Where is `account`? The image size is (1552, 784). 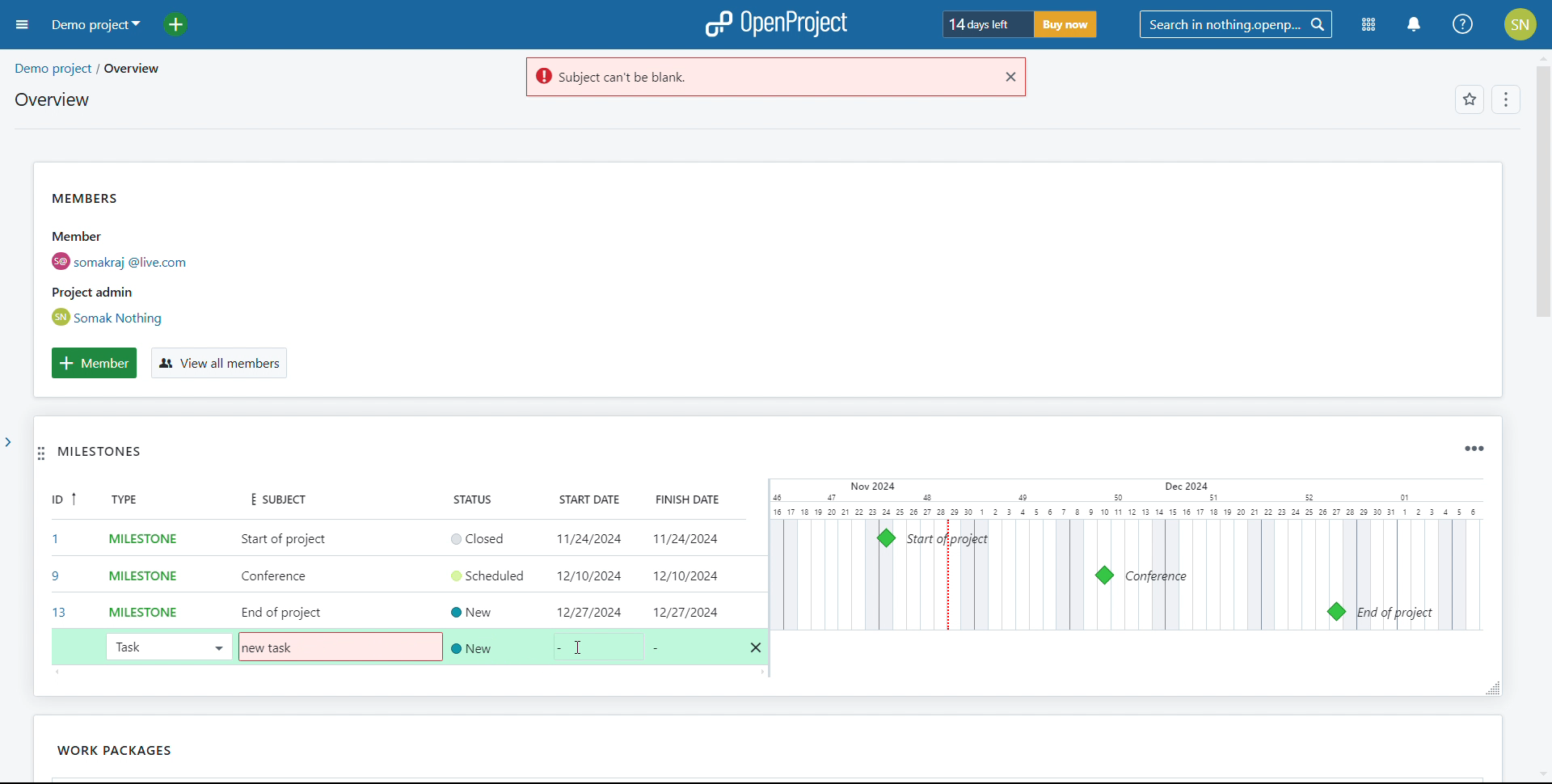 account is located at coordinates (1521, 24).